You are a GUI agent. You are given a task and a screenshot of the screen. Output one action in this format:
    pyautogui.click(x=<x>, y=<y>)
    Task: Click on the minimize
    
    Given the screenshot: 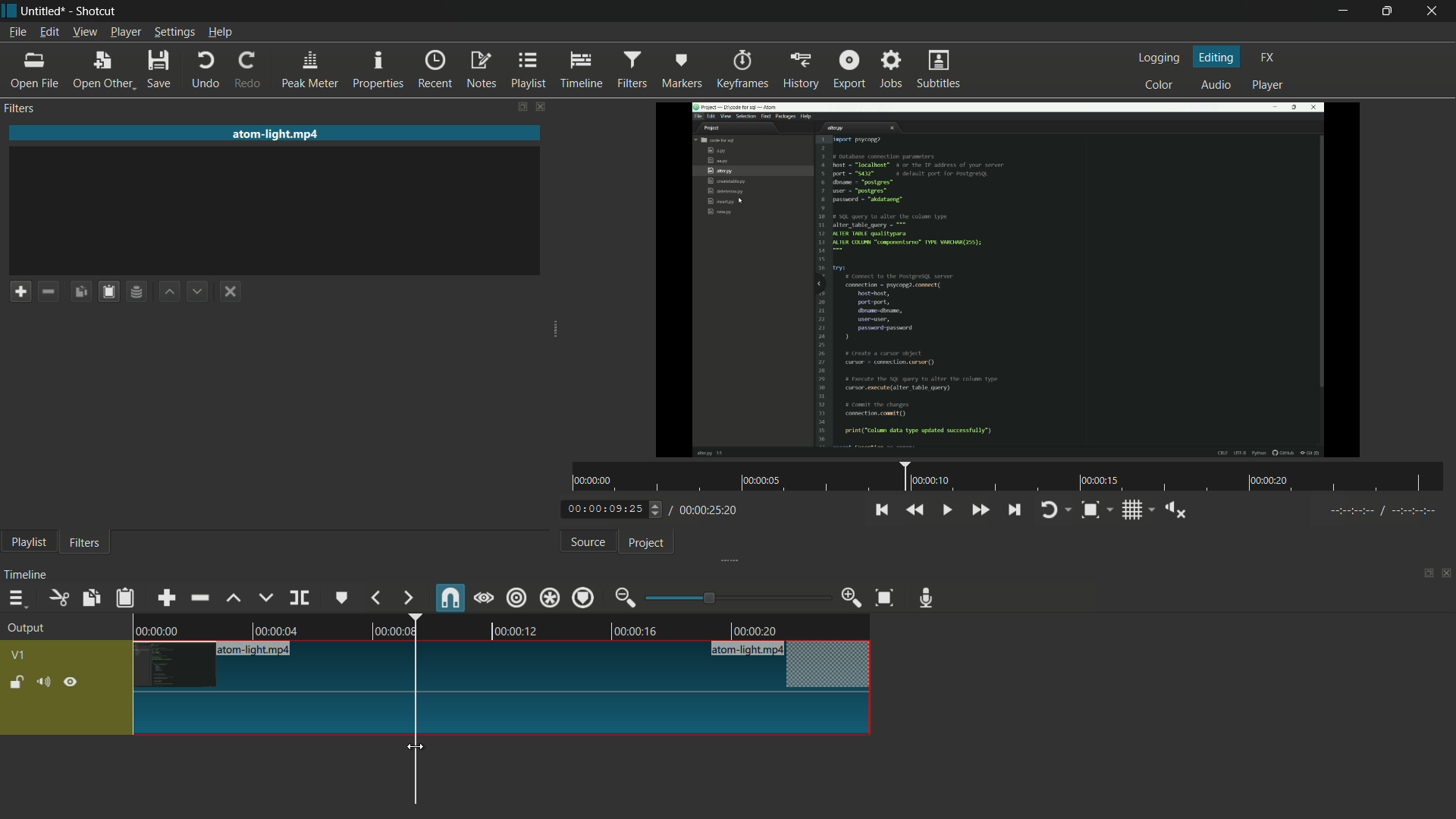 What is the action you would take?
    pyautogui.click(x=1341, y=11)
    